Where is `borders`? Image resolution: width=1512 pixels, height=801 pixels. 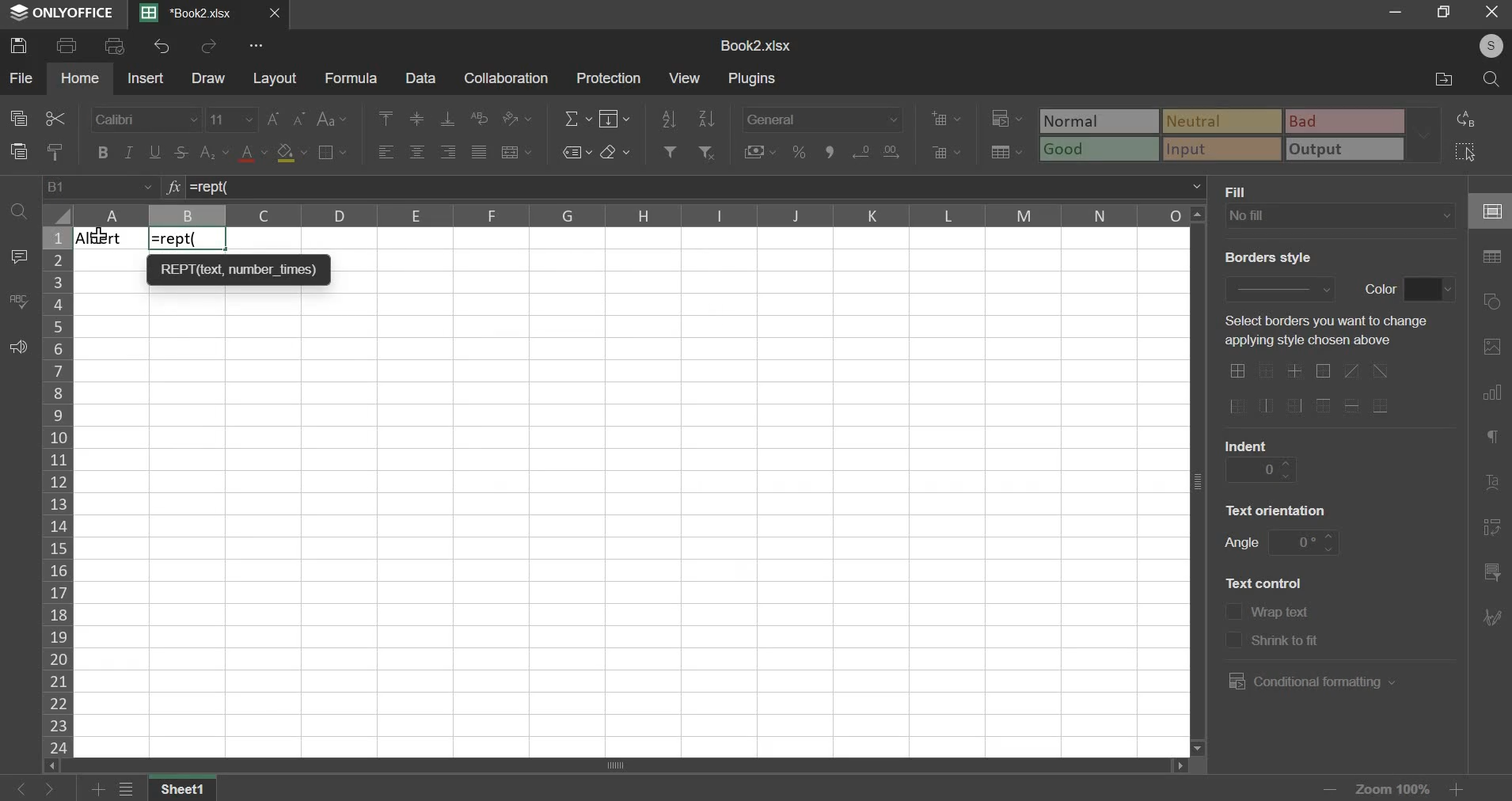 borders is located at coordinates (330, 152).